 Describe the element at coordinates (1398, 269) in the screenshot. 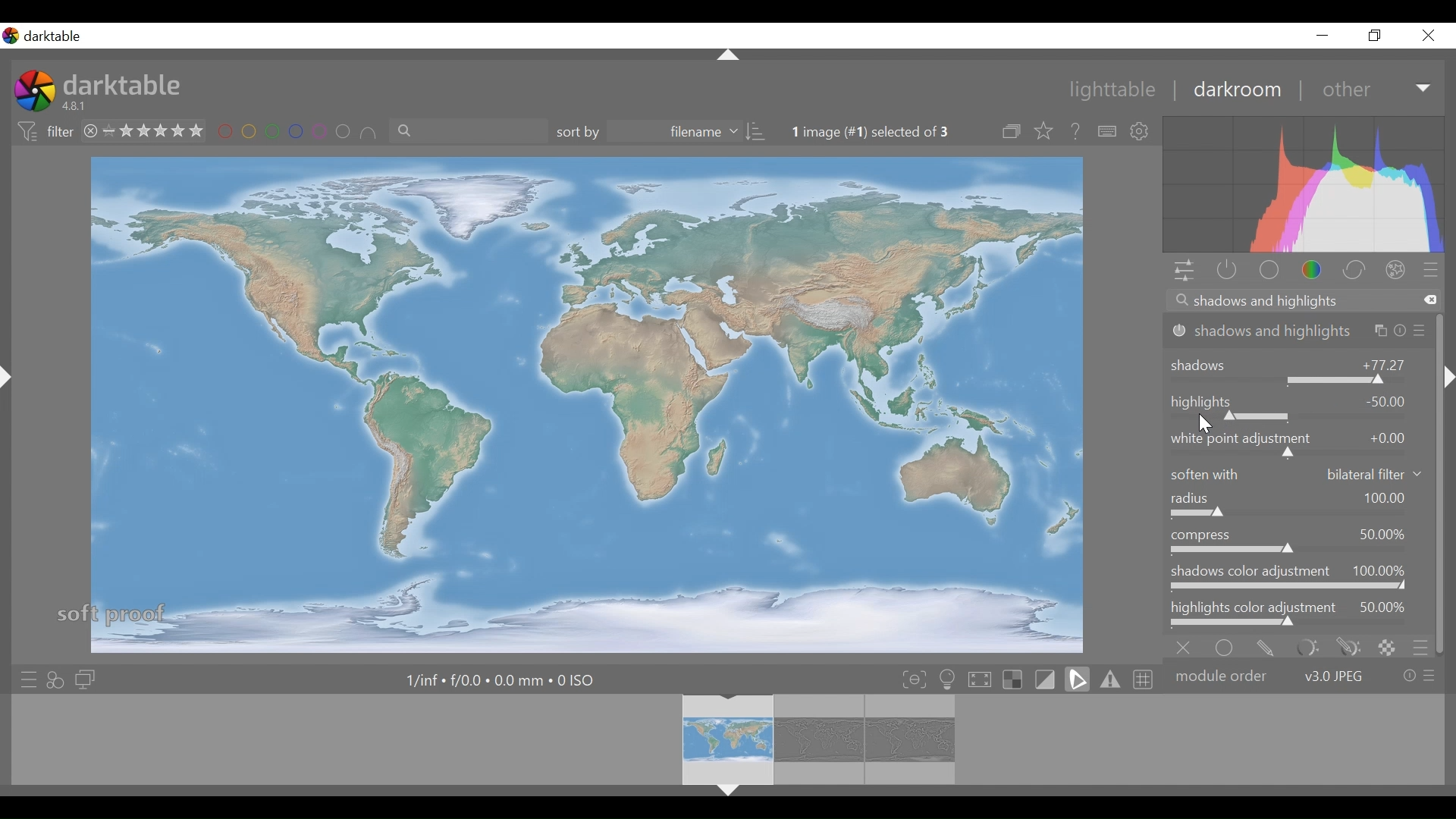

I see `effect` at that location.